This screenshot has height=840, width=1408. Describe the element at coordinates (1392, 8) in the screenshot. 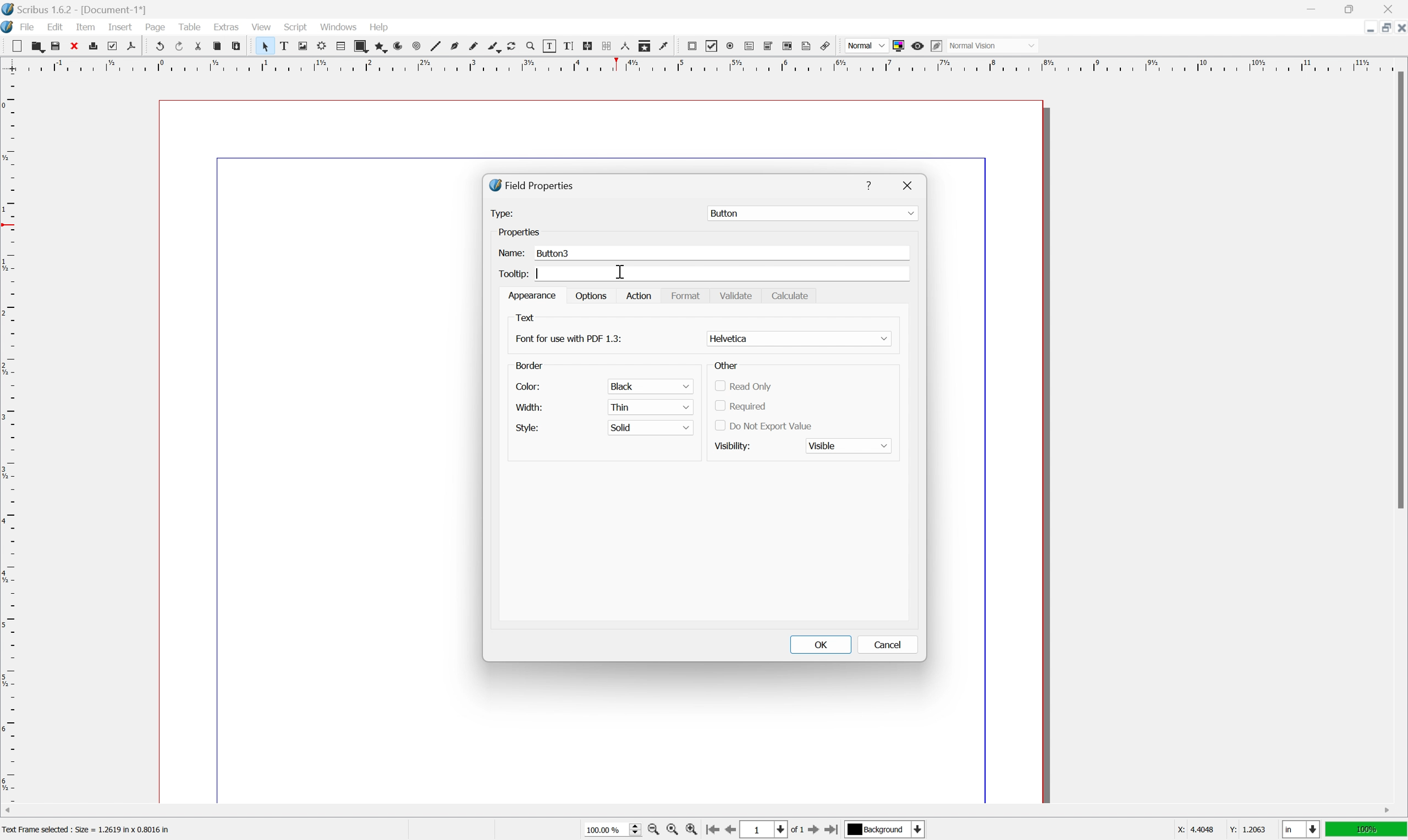

I see `close` at that location.